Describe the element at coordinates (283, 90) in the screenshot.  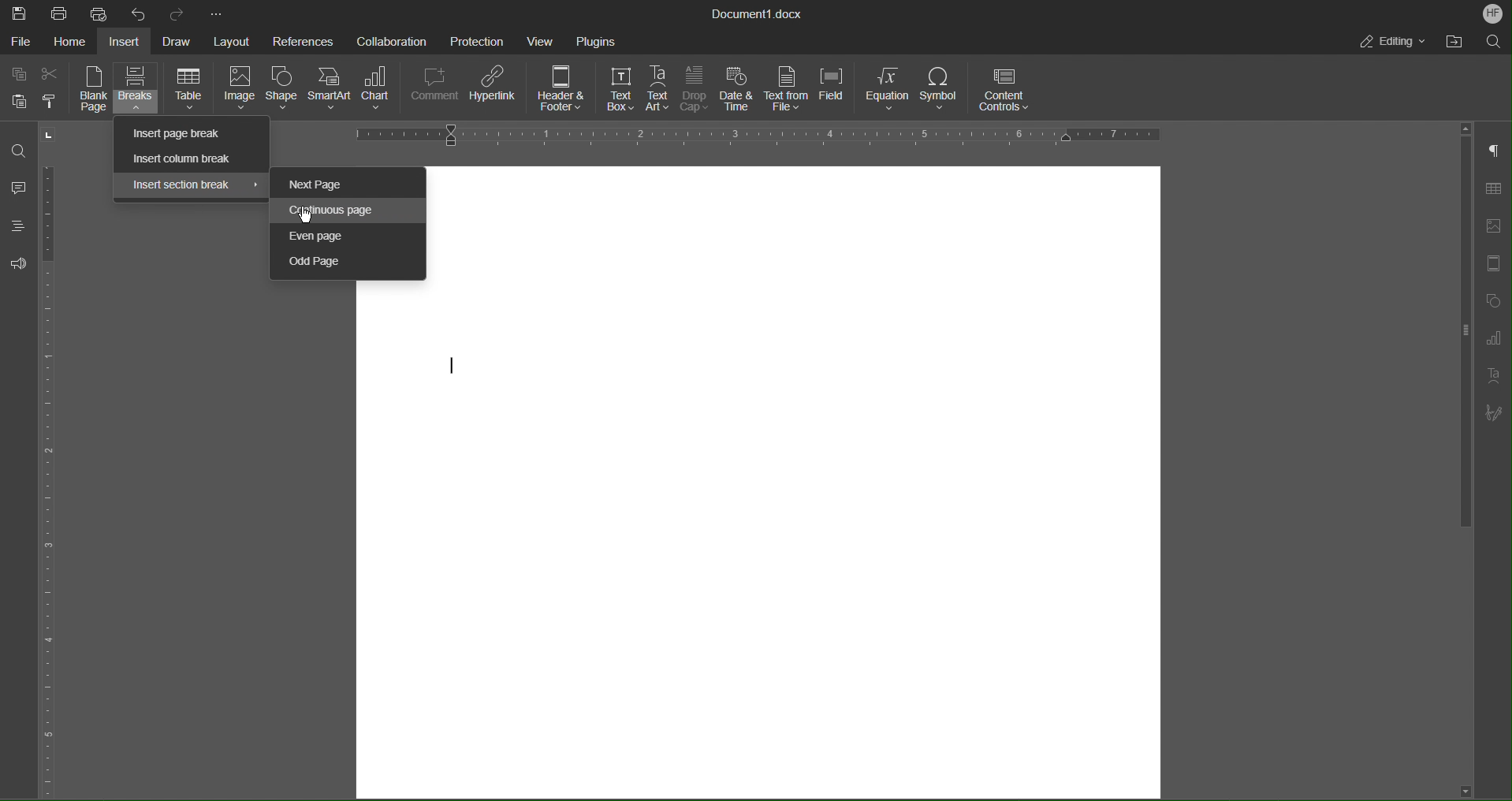
I see `Shape` at that location.